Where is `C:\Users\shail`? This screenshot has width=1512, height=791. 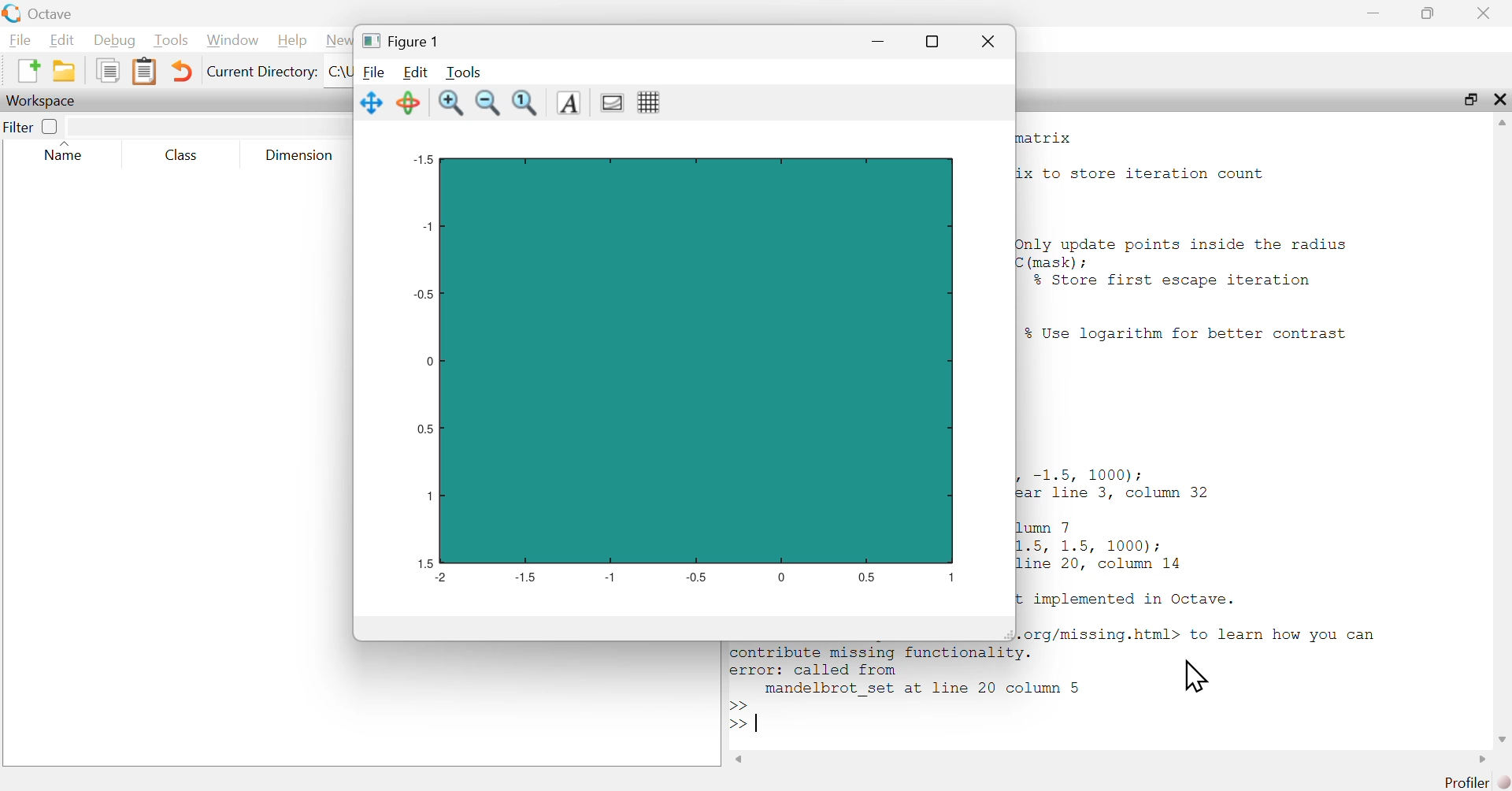 C:\Users\shail is located at coordinates (339, 71).